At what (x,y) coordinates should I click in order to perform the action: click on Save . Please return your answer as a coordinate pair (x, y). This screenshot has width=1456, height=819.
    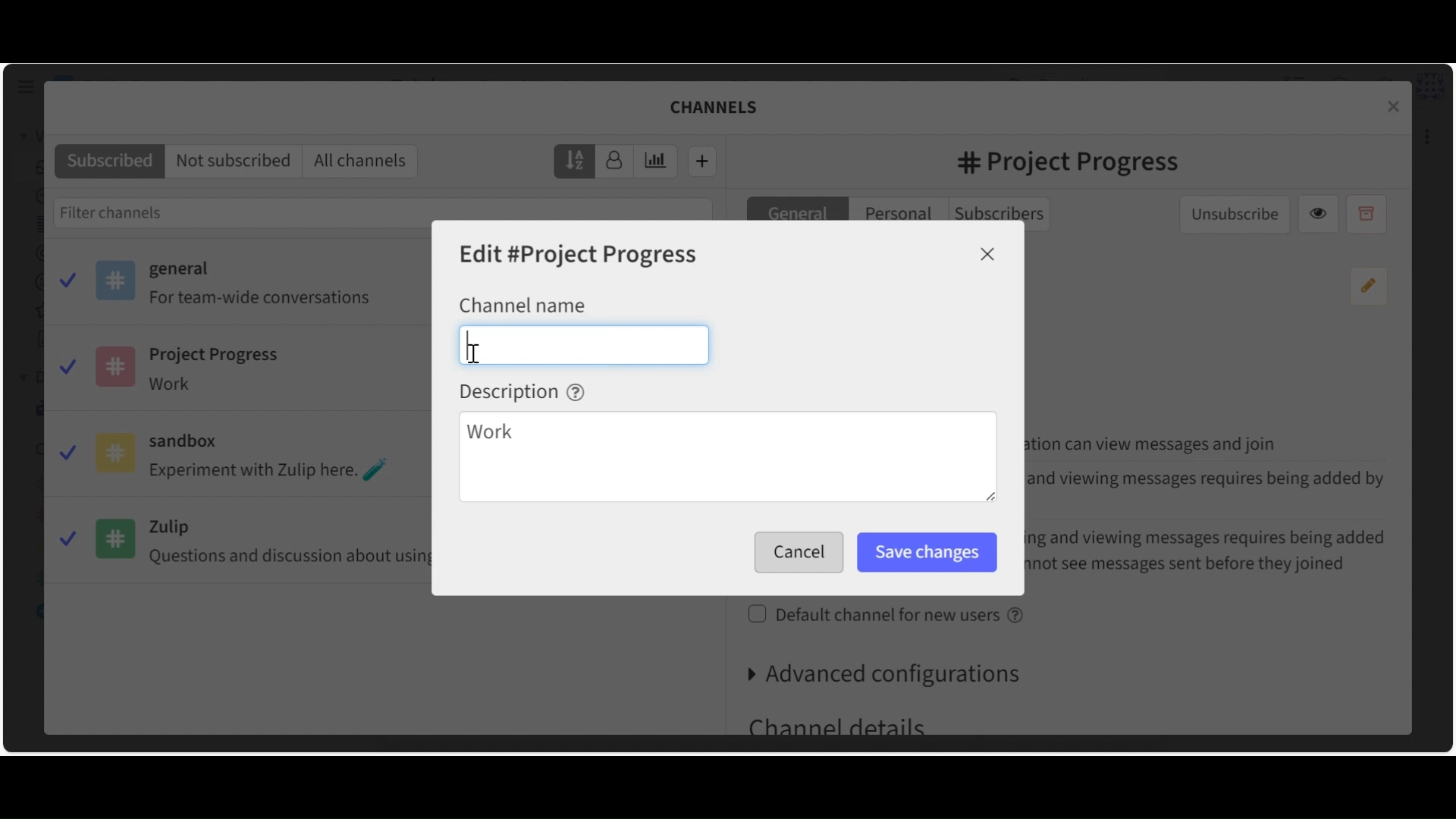
    Looking at the image, I should click on (795, 553).